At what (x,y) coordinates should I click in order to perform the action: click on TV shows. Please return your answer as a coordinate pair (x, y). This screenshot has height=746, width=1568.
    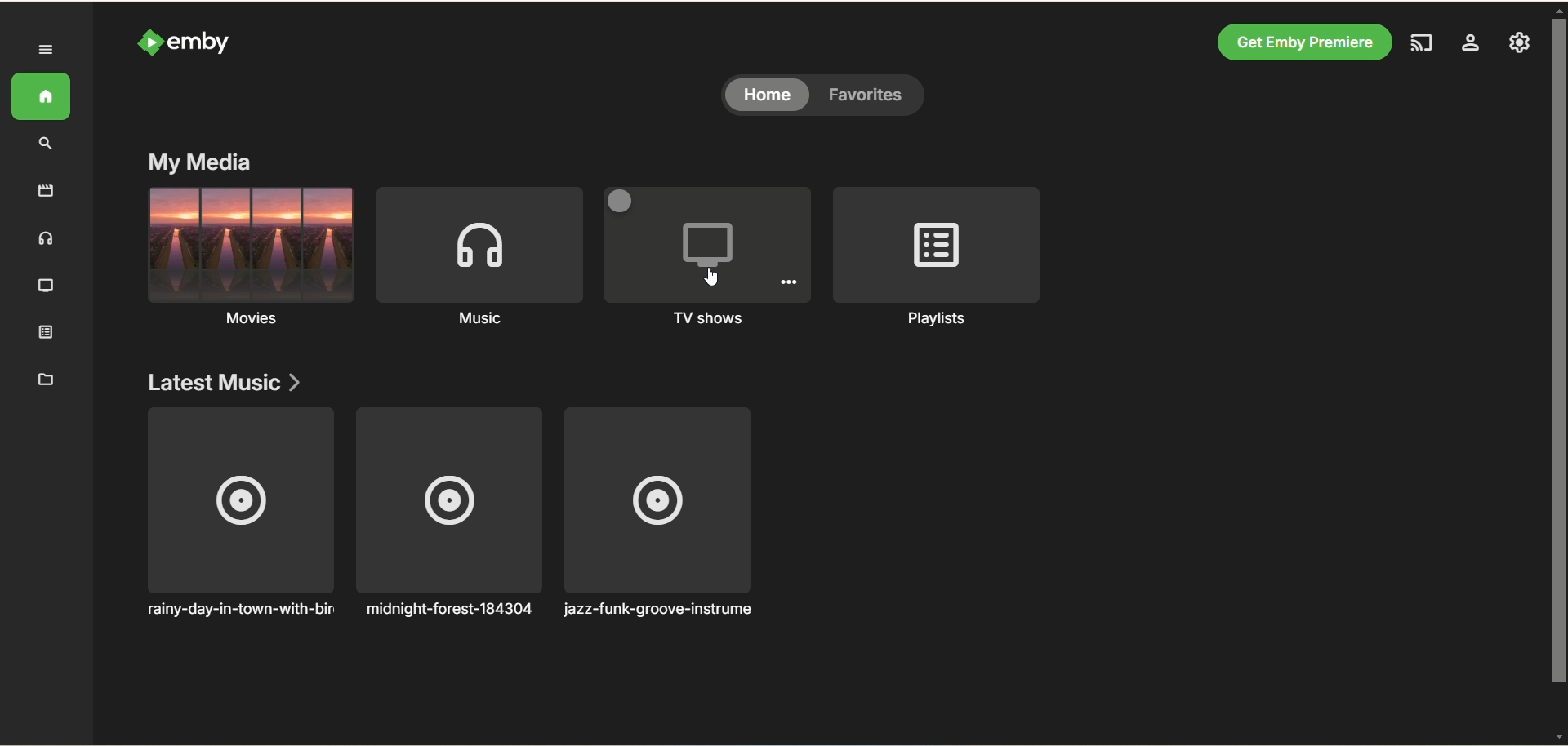
    Looking at the image, I should click on (710, 256).